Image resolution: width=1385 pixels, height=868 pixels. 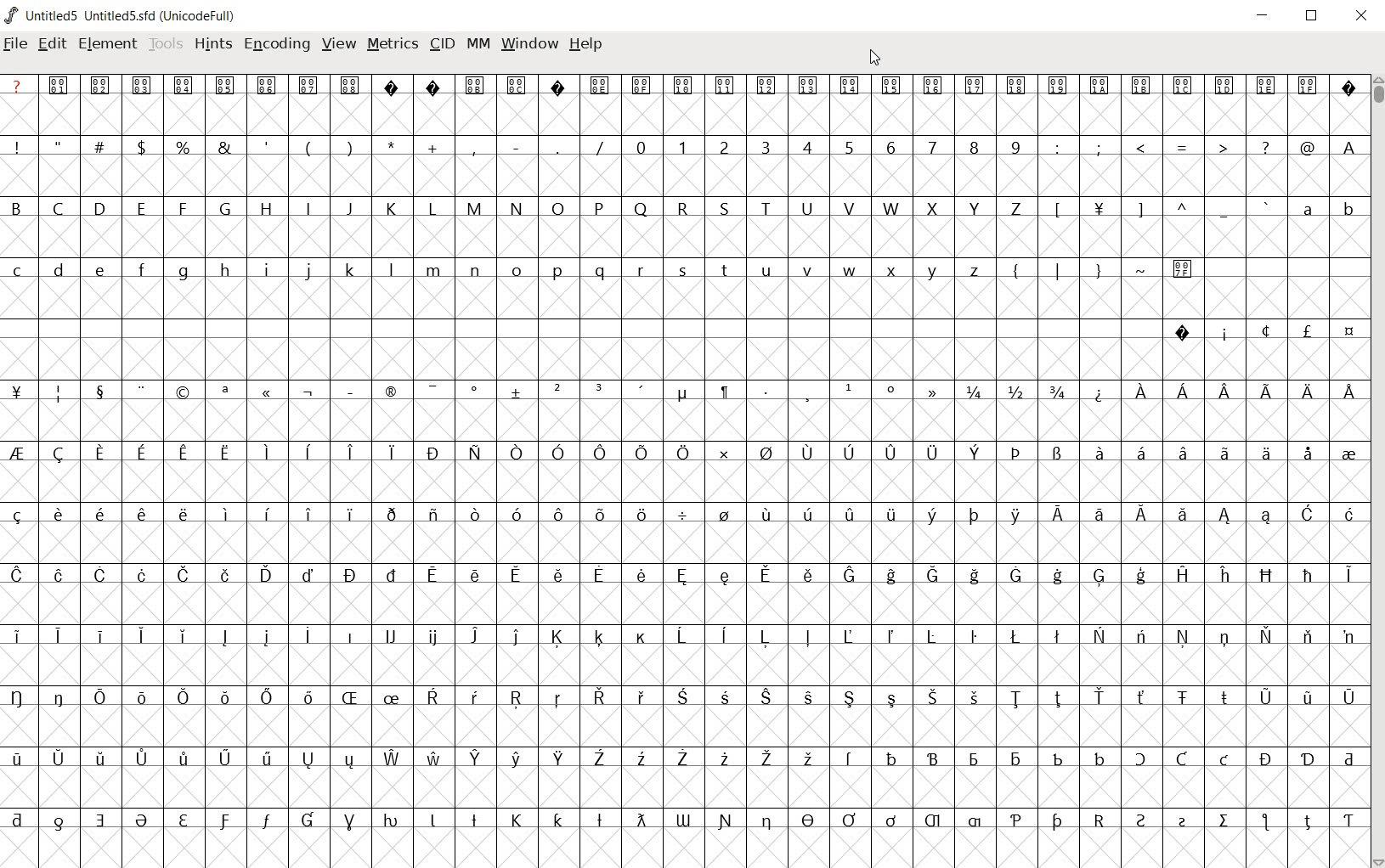 I want to click on Symbol, so click(x=1141, y=637).